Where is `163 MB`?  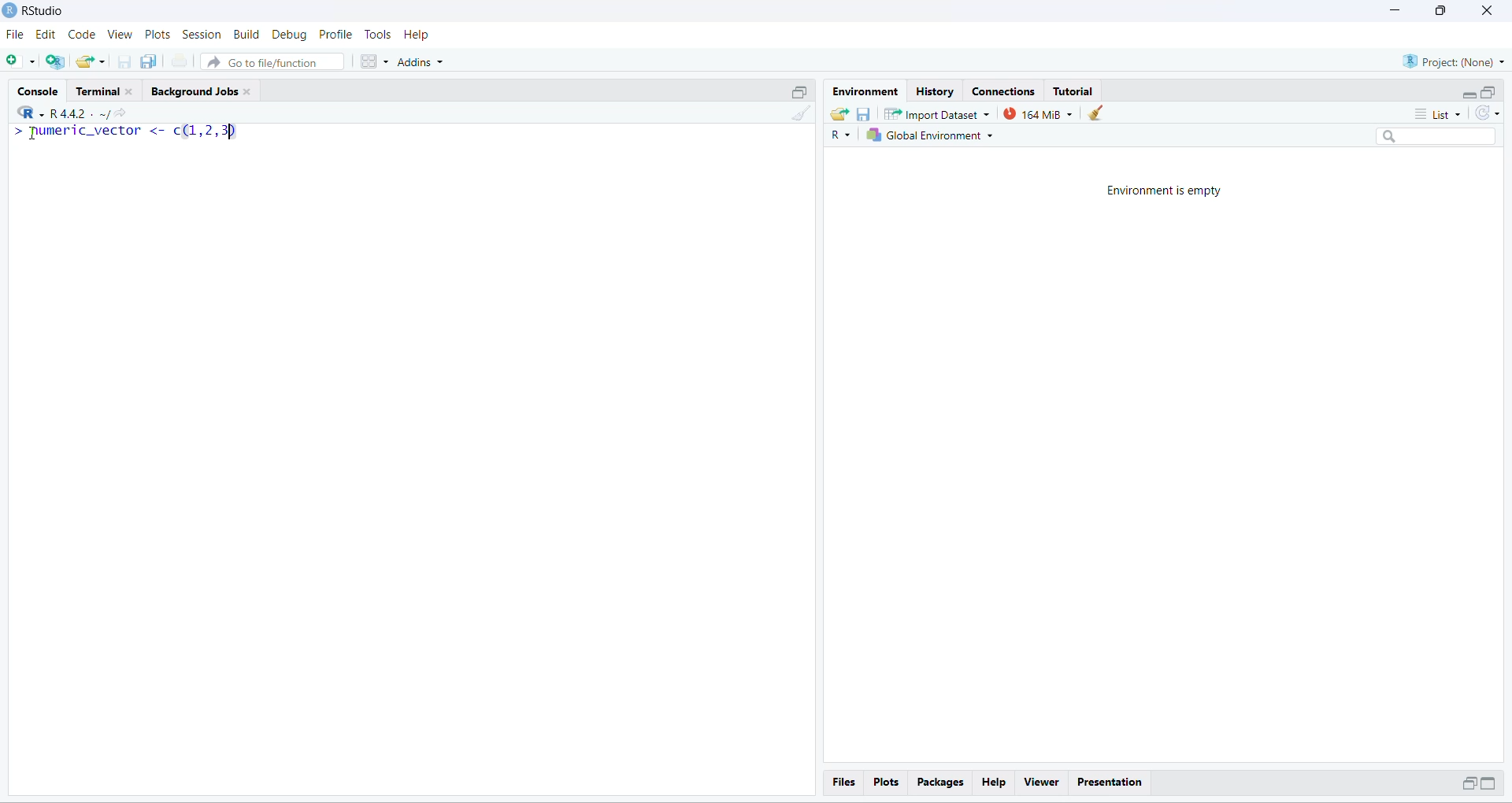 163 MB is located at coordinates (1038, 114).